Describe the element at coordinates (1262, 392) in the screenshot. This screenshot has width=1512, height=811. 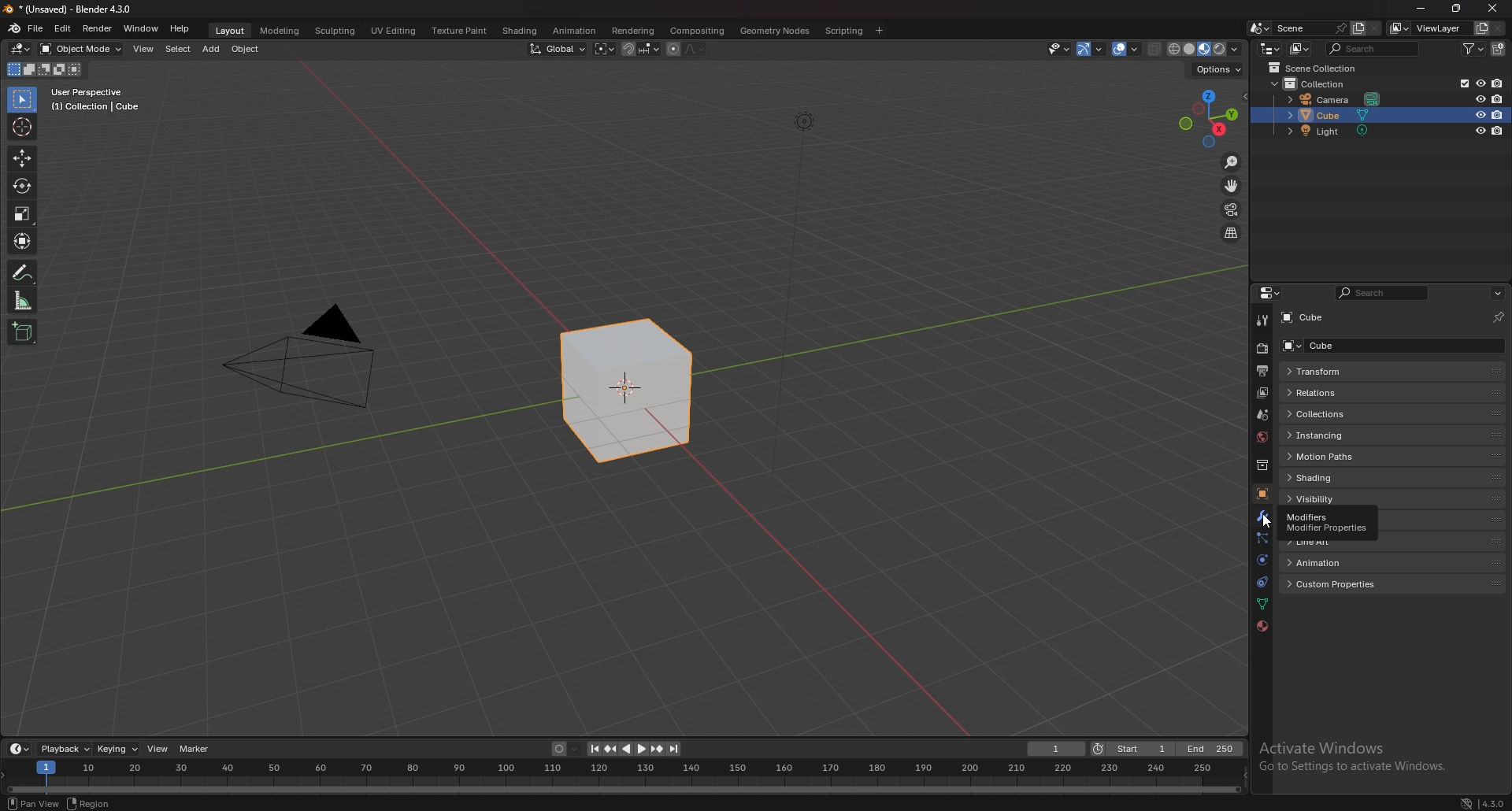
I see `view layer` at that location.